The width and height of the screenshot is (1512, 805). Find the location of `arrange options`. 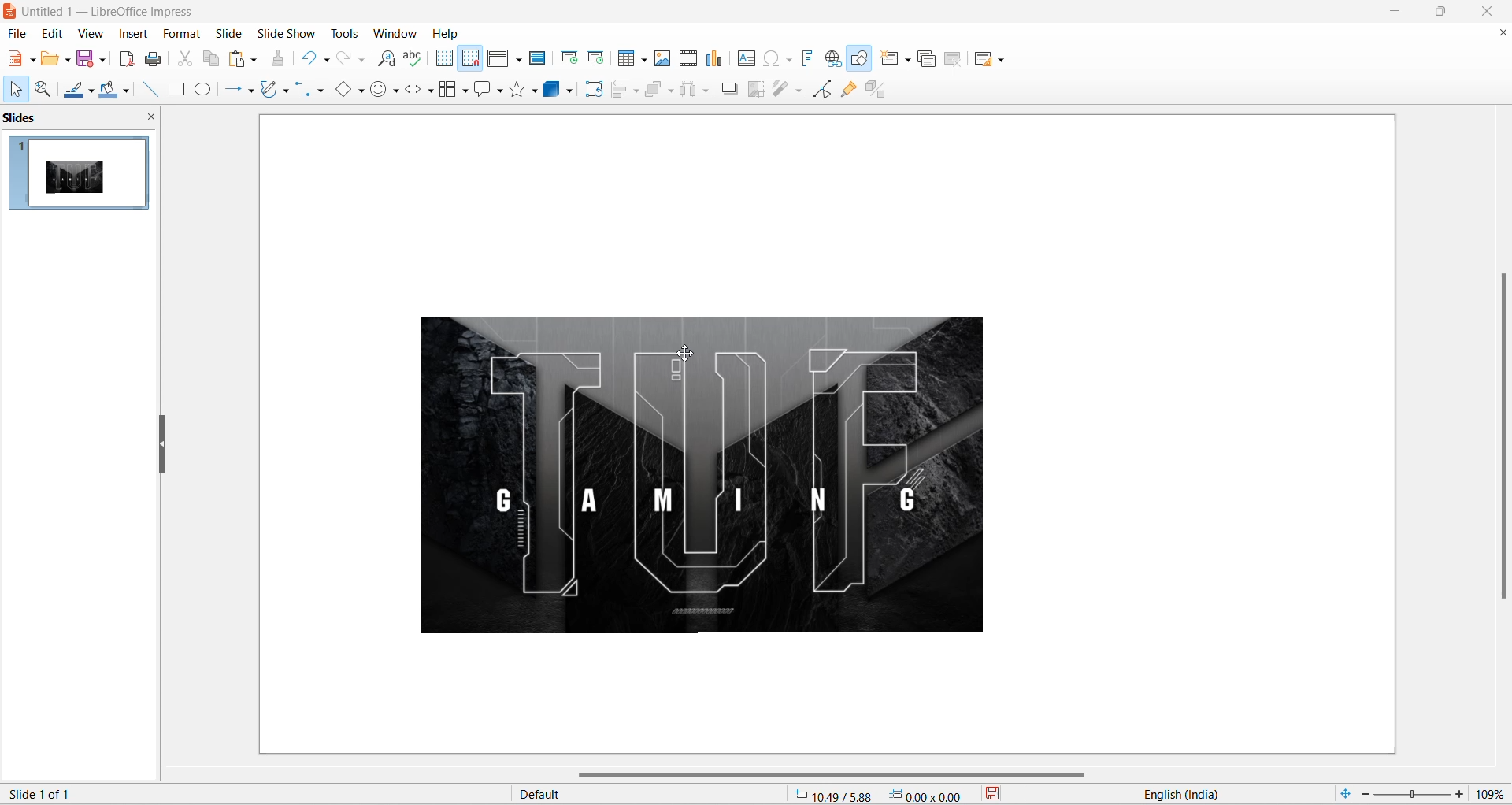

arrange options is located at coordinates (673, 91).